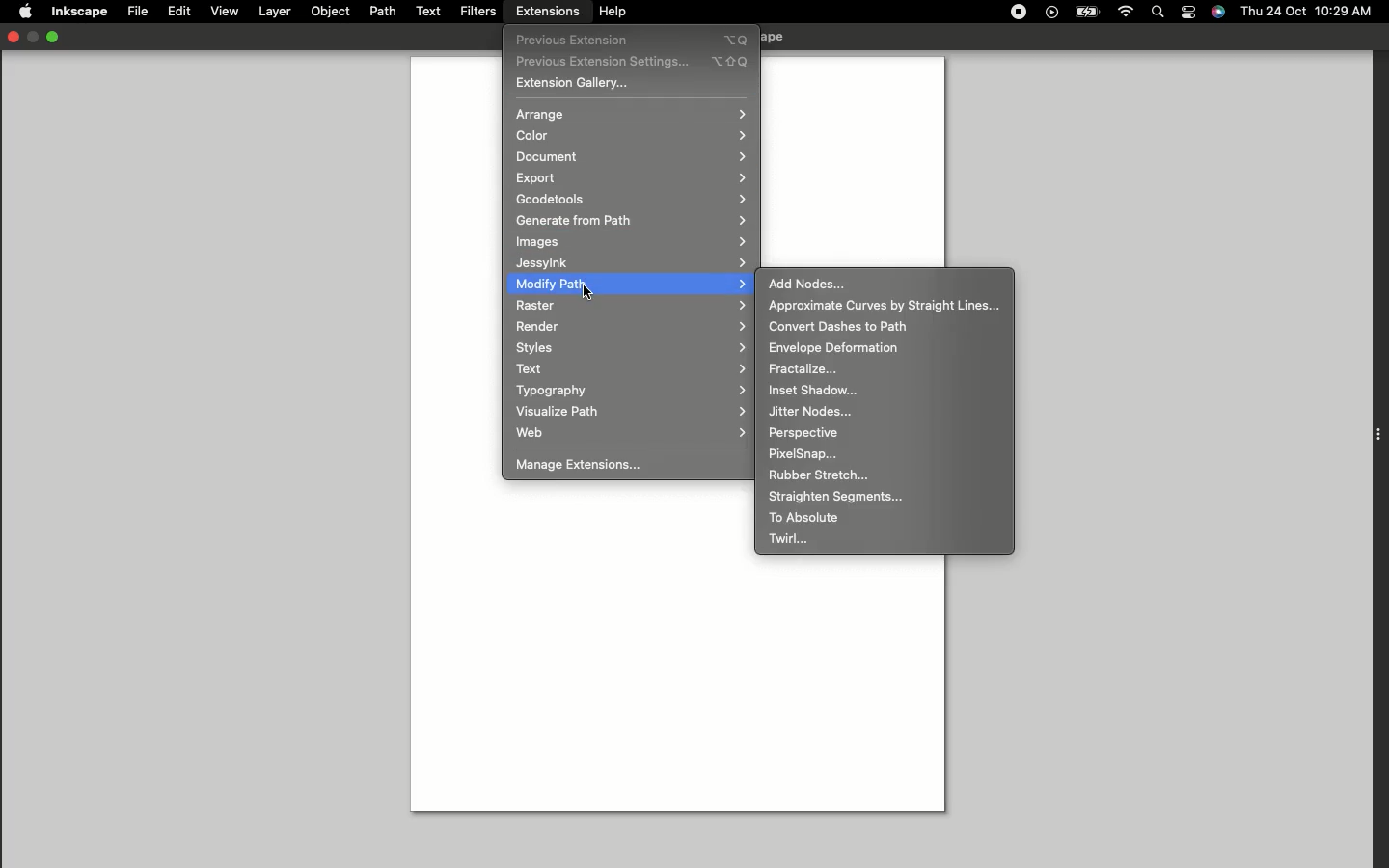  What do you see at coordinates (430, 12) in the screenshot?
I see `Text` at bounding box center [430, 12].